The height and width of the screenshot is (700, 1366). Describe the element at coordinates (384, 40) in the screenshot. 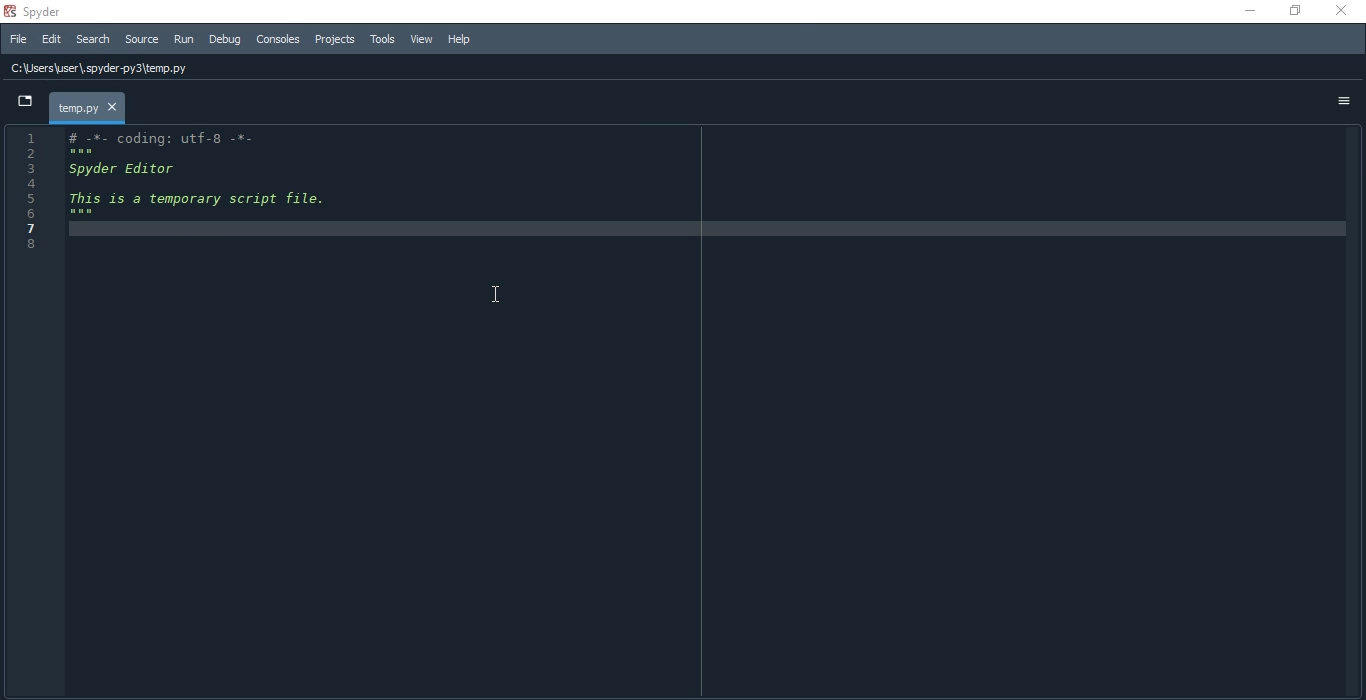

I see `Tools` at that location.